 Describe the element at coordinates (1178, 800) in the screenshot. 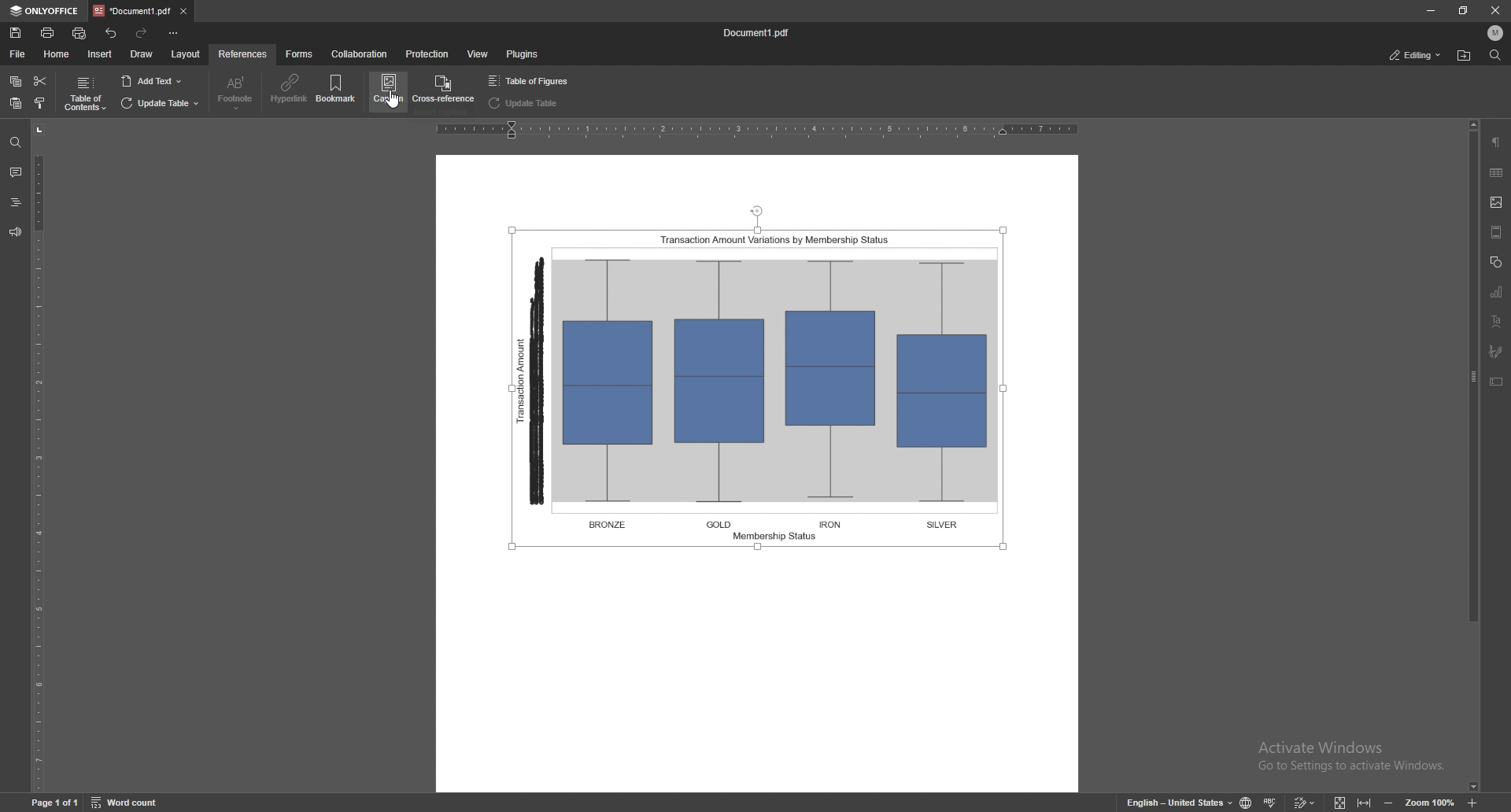

I see `change text language` at that location.